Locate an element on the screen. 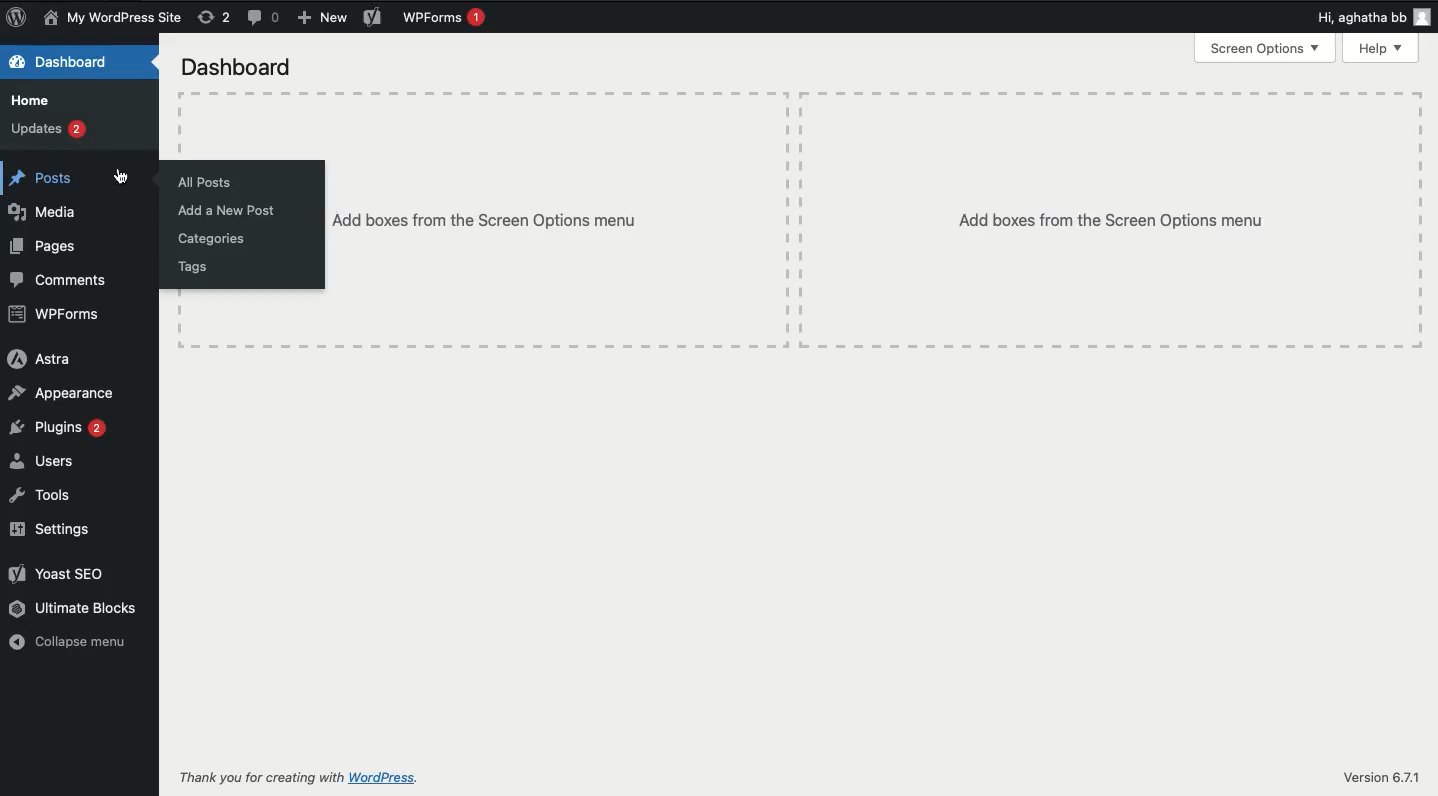  Version 6.7/1 is located at coordinates (1381, 777).